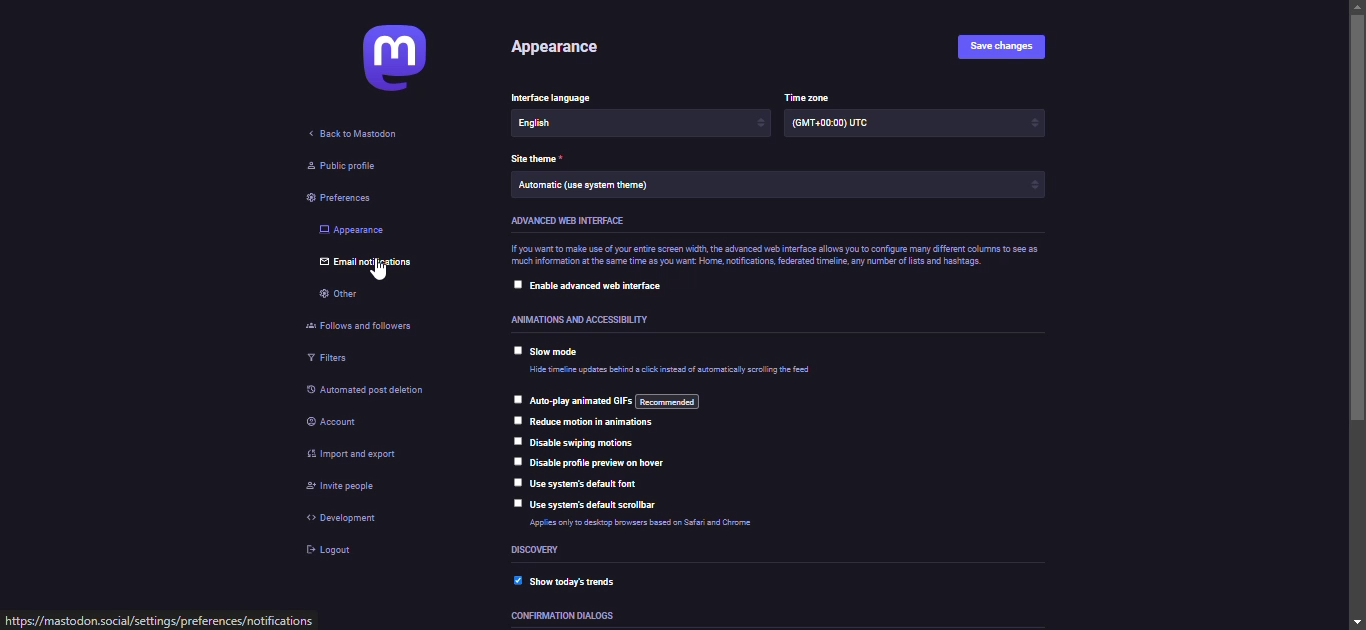 This screenshot has height=630, width=1366. What do you see at coordinates (623, 402) in the screenshot?
I see `autoplay animated gif's` at bounding box center [623, 402].